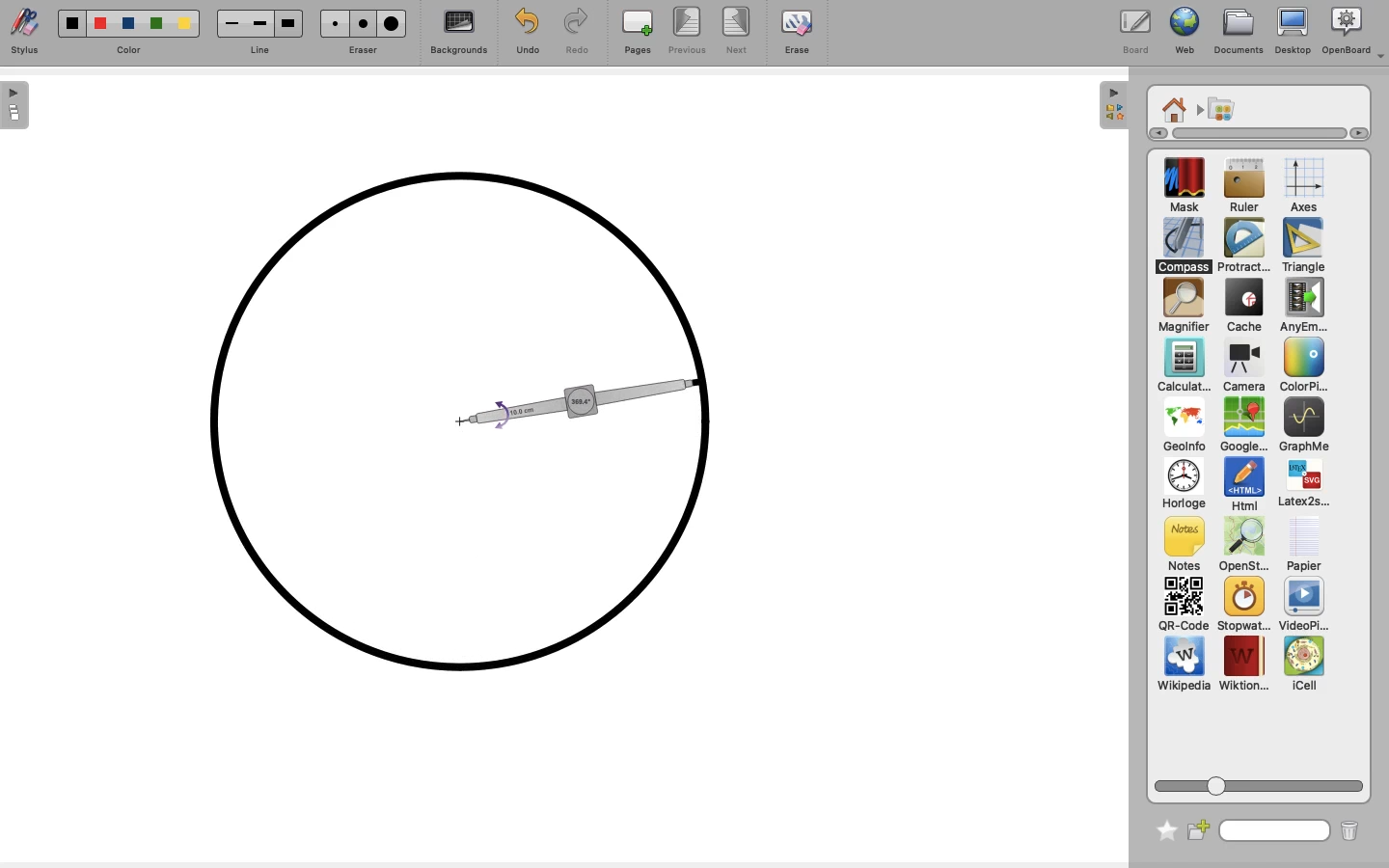 This screenshot has width=1389, height=868. What do you see at coordinates (1262, 782) in the screenshot?
I see `Scroll` at bounding box center [1262, 782].